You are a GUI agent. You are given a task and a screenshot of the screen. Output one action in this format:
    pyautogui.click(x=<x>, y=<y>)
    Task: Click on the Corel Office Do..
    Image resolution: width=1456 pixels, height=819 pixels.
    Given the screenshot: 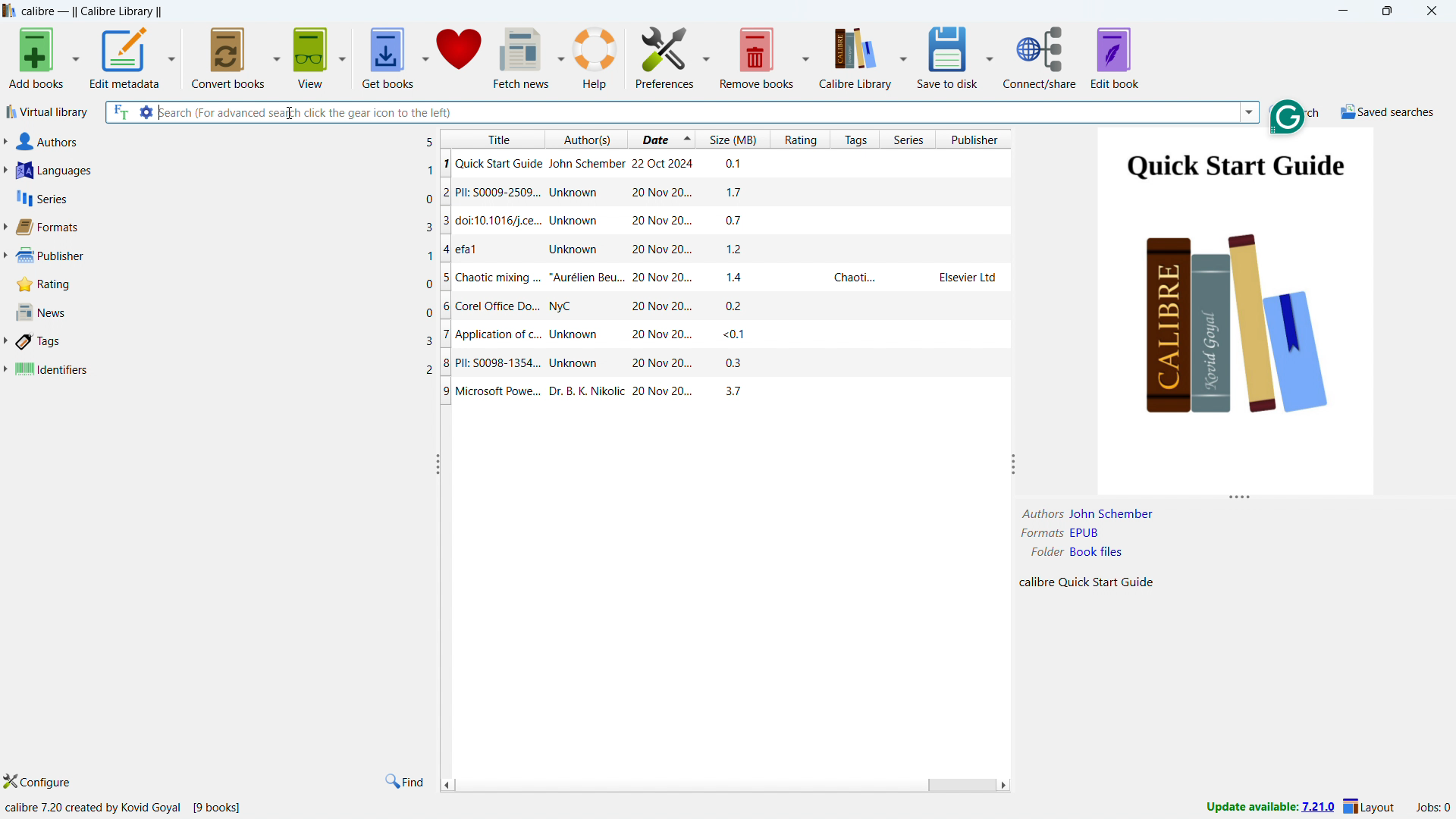 What is the action you would take?
    pyautogui.click(x=726, y=306)
    